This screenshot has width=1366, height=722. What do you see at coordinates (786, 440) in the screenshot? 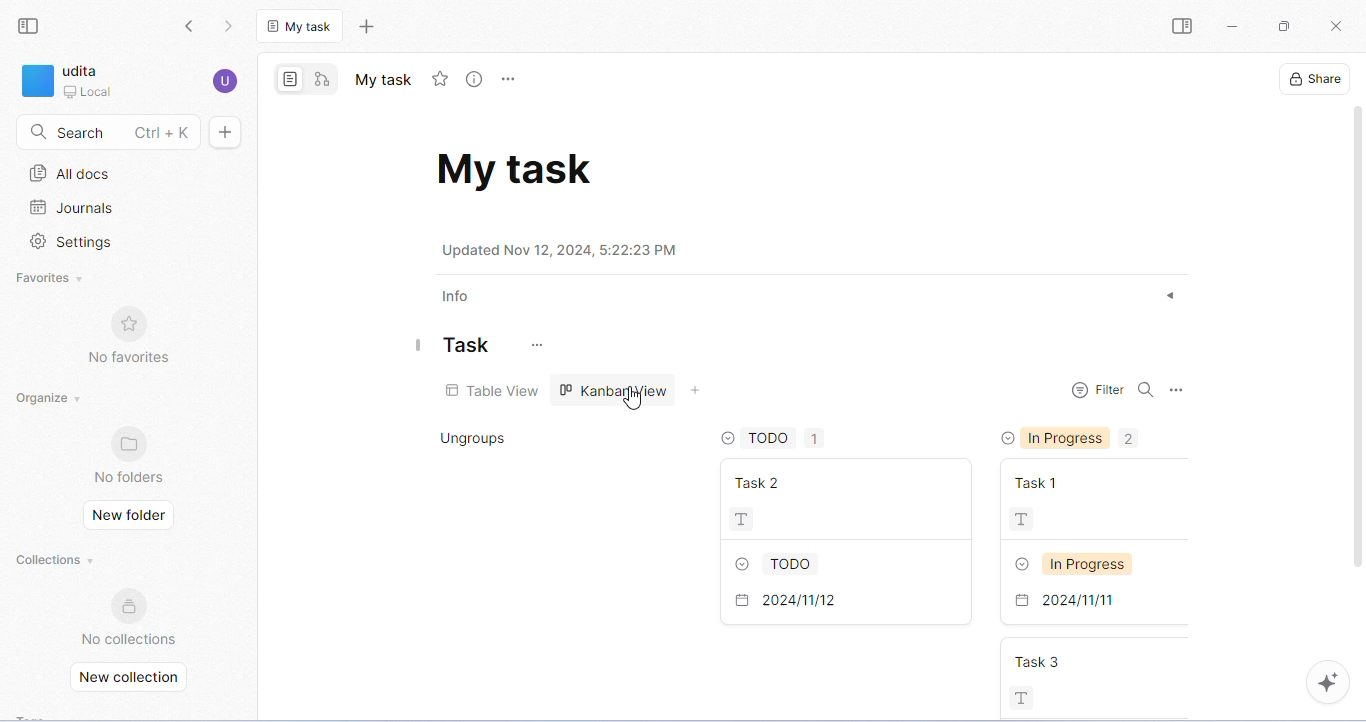
I see `TODO label` at bounding box center [786, 440].